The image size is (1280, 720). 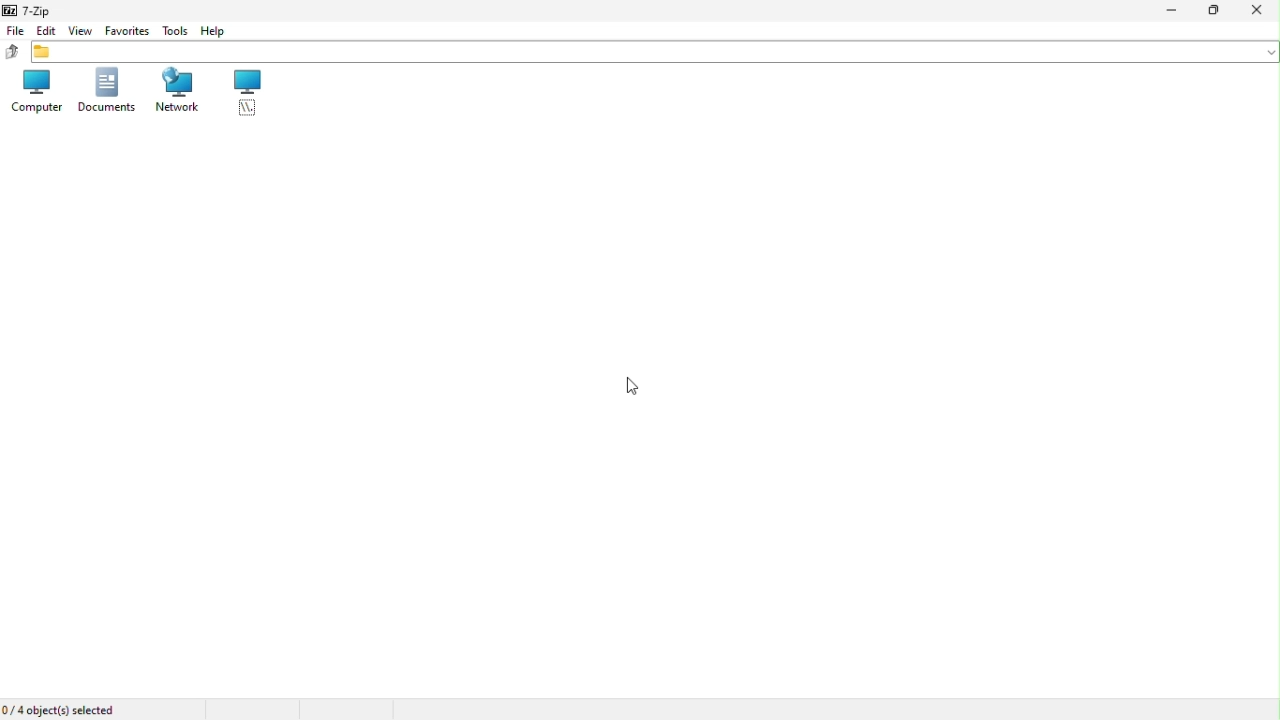 I want to click on up, so click(x=10, y=51).